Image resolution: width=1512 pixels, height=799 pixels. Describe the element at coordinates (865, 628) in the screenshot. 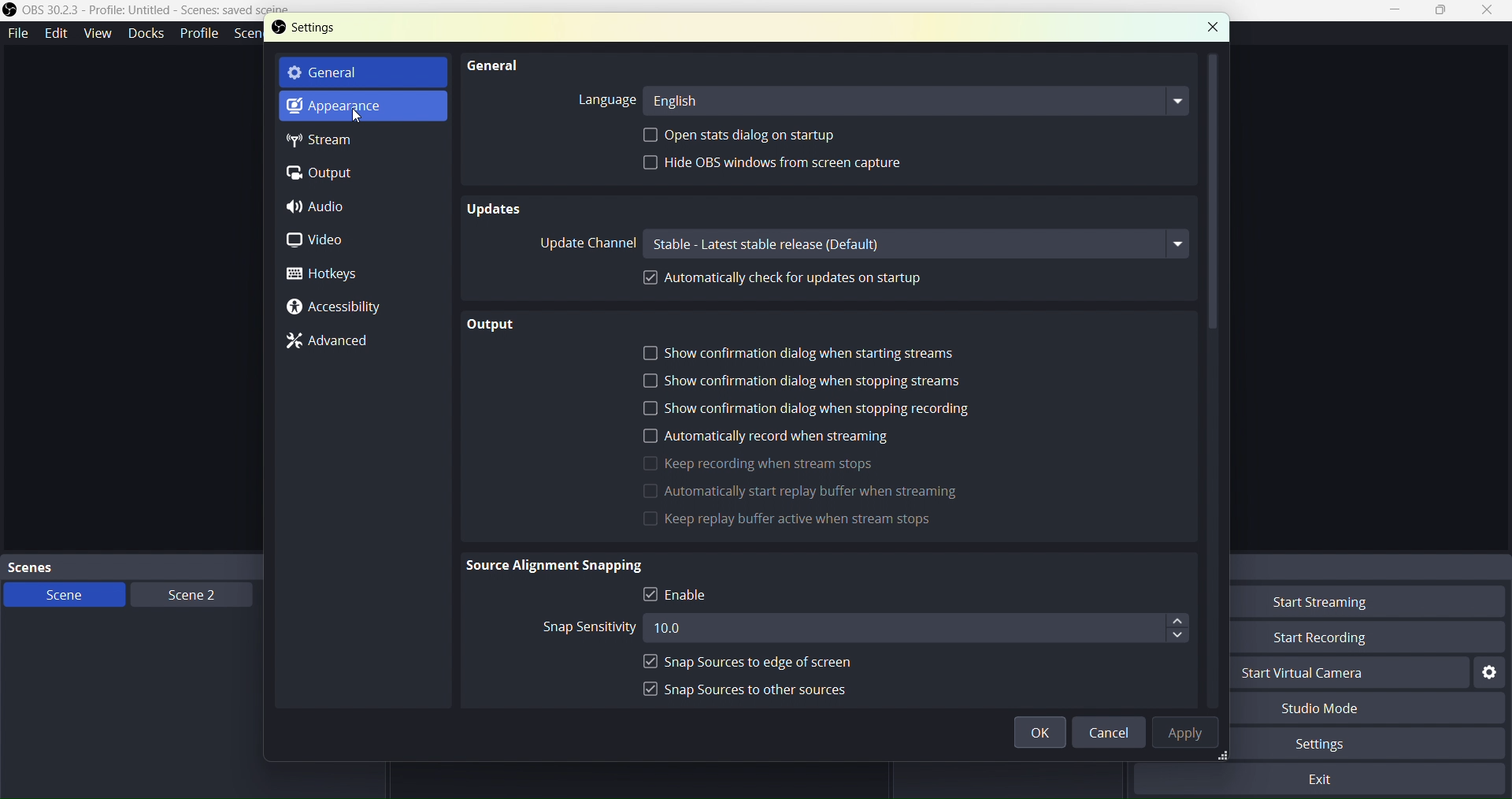

I see `Snap Sensitivity` at that location.